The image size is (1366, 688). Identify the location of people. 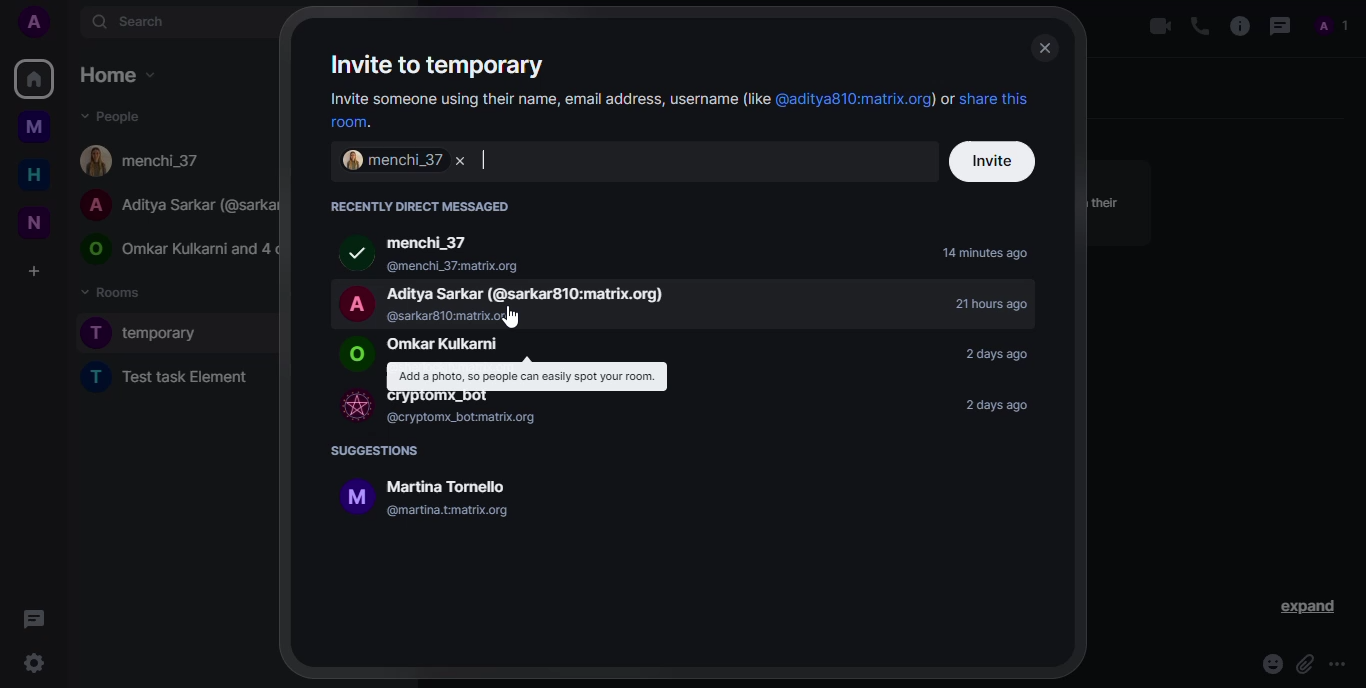
(145, 160).